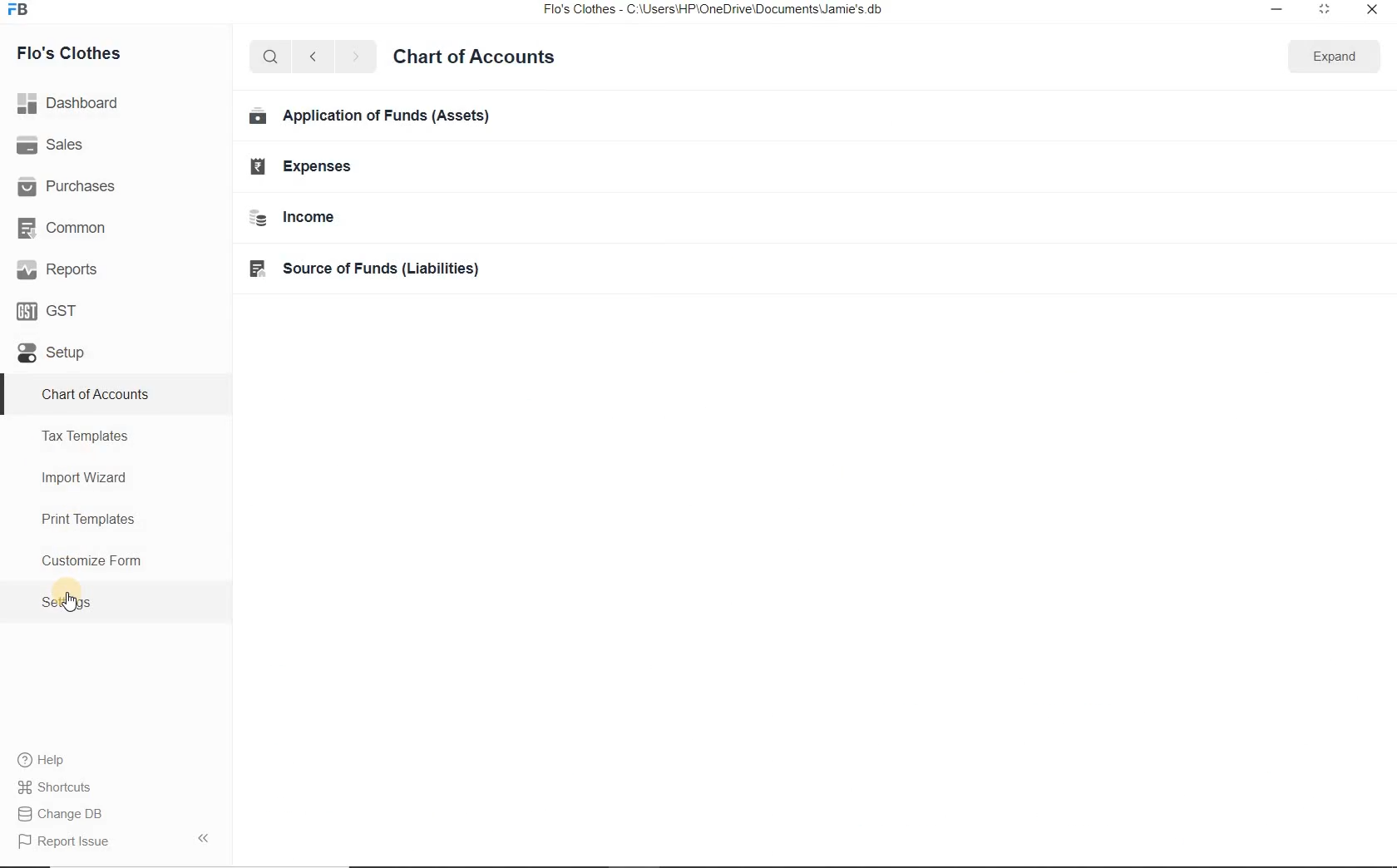 This screenshot has height=868, width=1397. I want to click on Em Application of Funds (Assets), so click(370, 119).